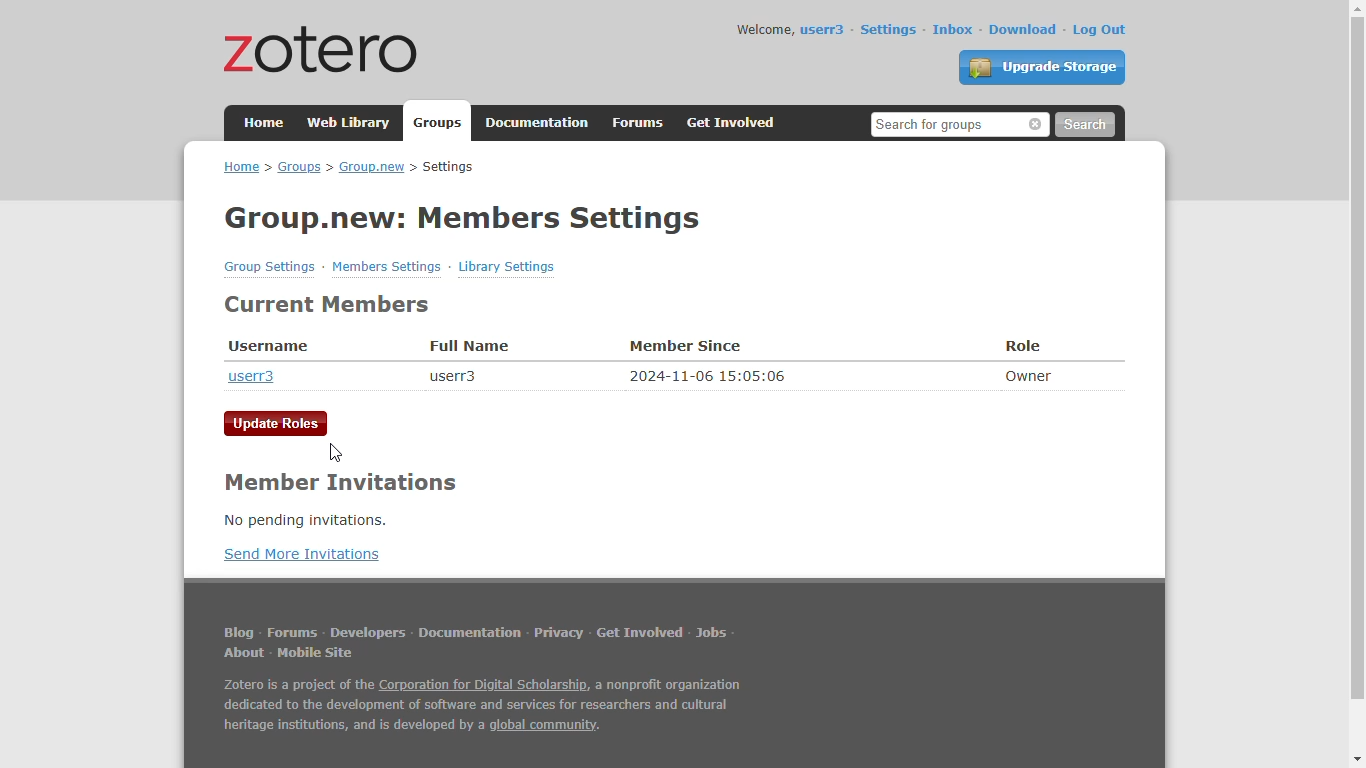  Describe the element at coordinates (349, 167) in the screenshot. I see `home > groups > group.new > settings` at that location.